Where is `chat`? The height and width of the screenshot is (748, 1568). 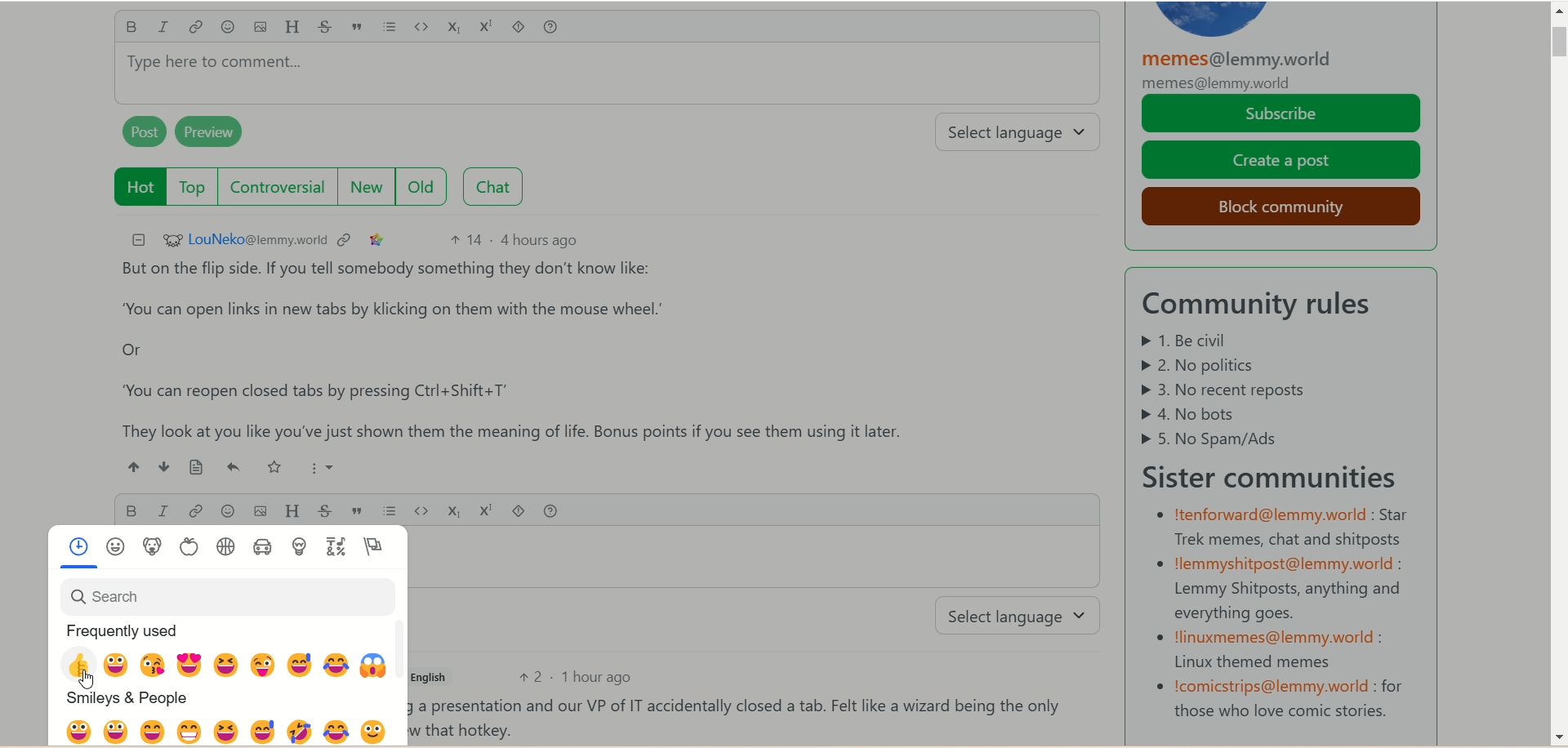 chat is located at coordinates (499, 187).